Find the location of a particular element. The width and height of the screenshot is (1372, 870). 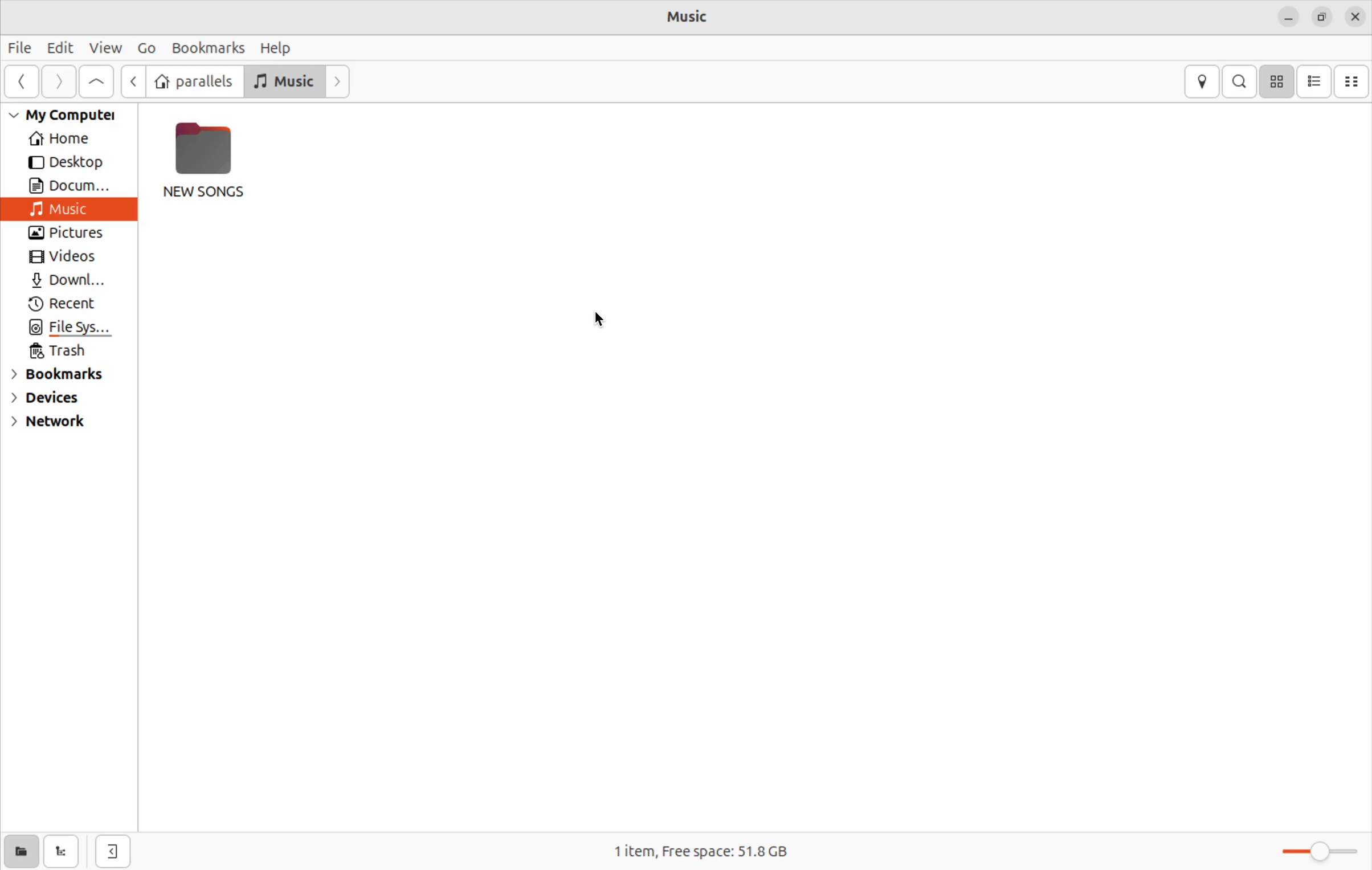

resize is located at coordinates (1324, 14).